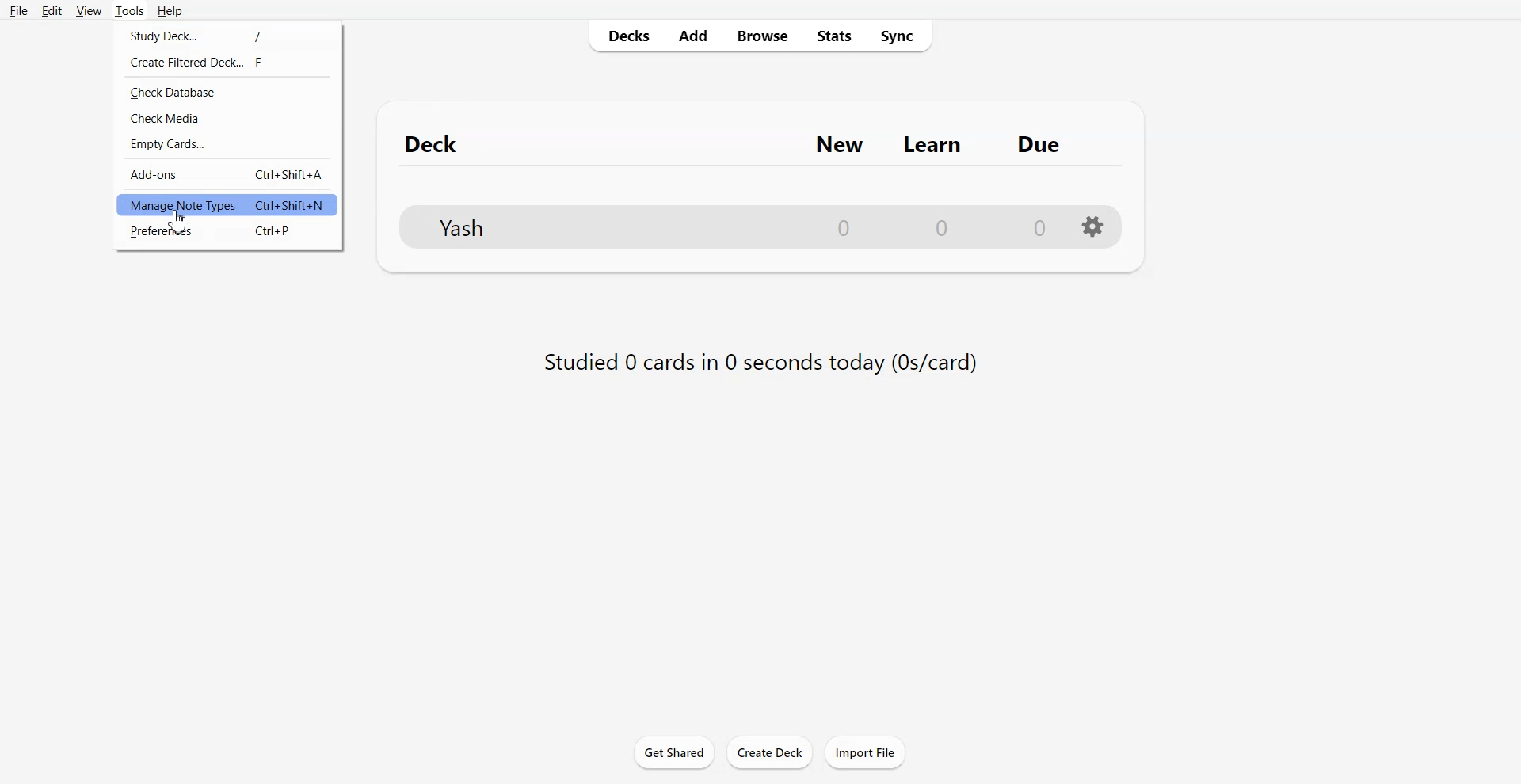  What do you see at coordinates (227, 205) in the screenshot?
I see `Manage Note Types` at bounding box center [227, 205].